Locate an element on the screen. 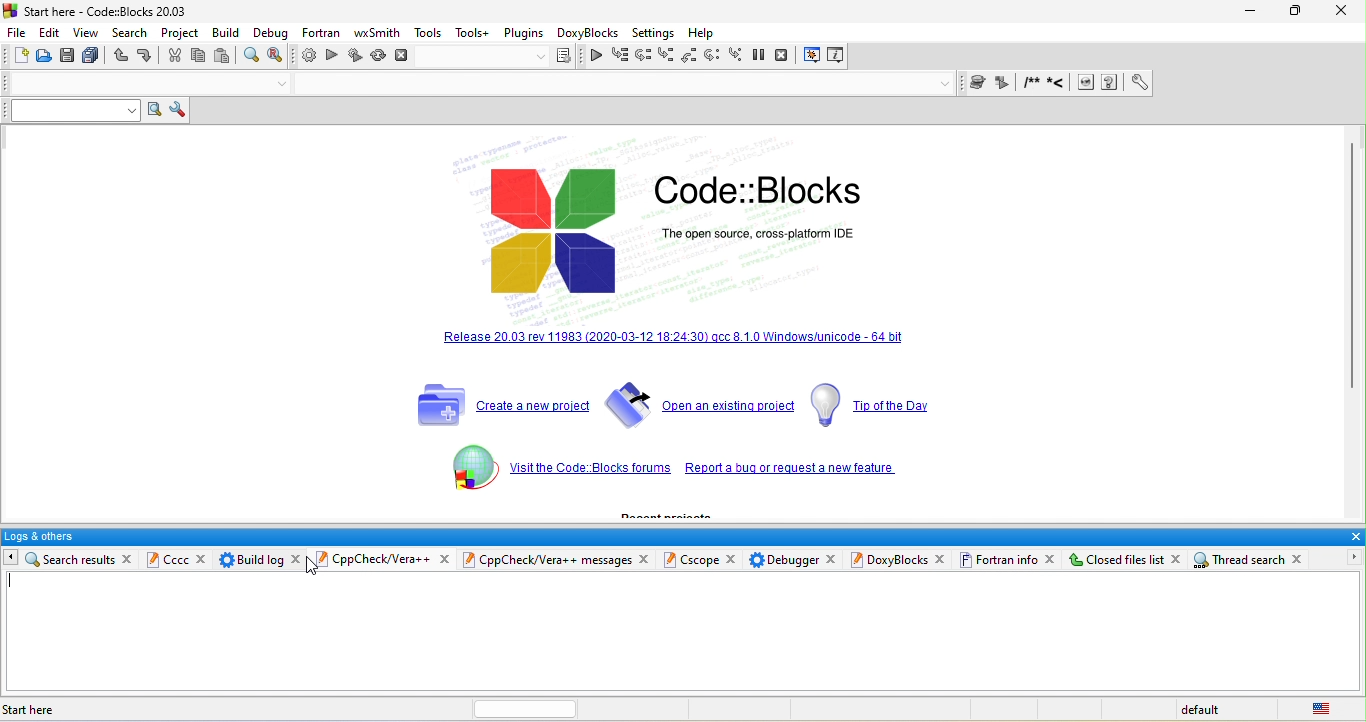 The height and width of the screenshot is (722, 1366). file is located at coordinates (687, 630).